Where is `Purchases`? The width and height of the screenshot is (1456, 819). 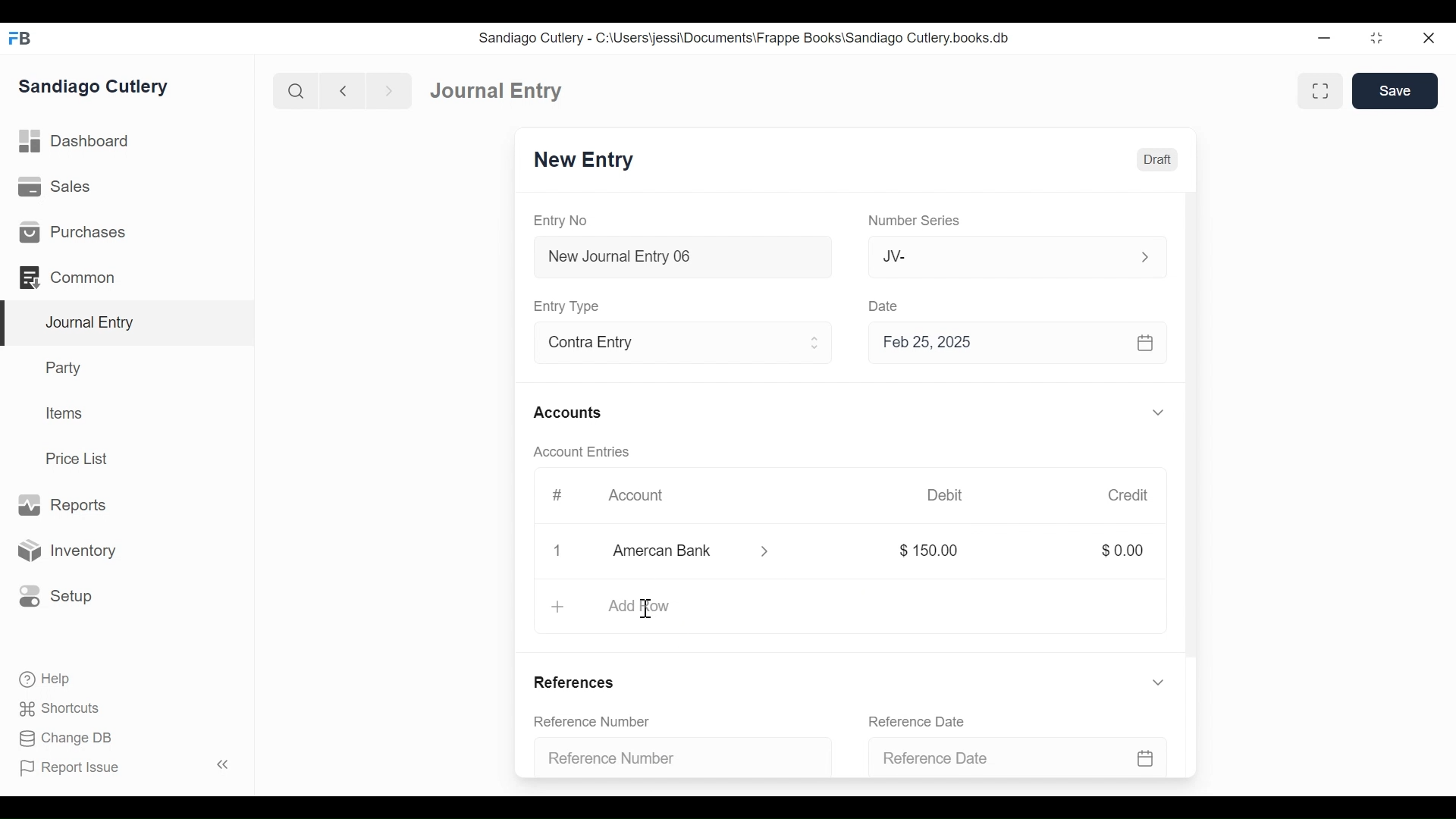
Purchases is located at coordinates (71, 232).